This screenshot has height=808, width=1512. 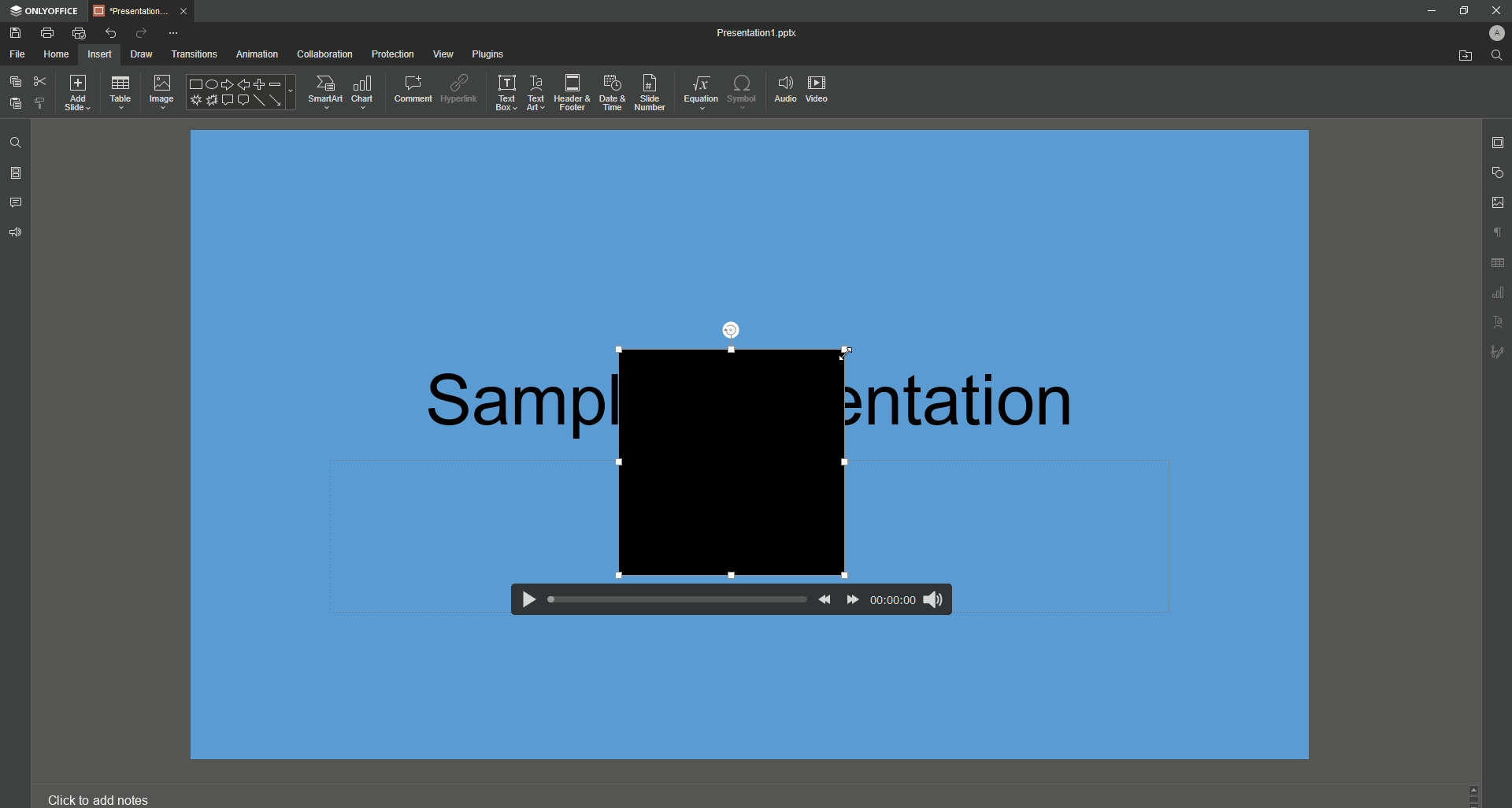 I want to click on Find, so click(x=14, y=143).